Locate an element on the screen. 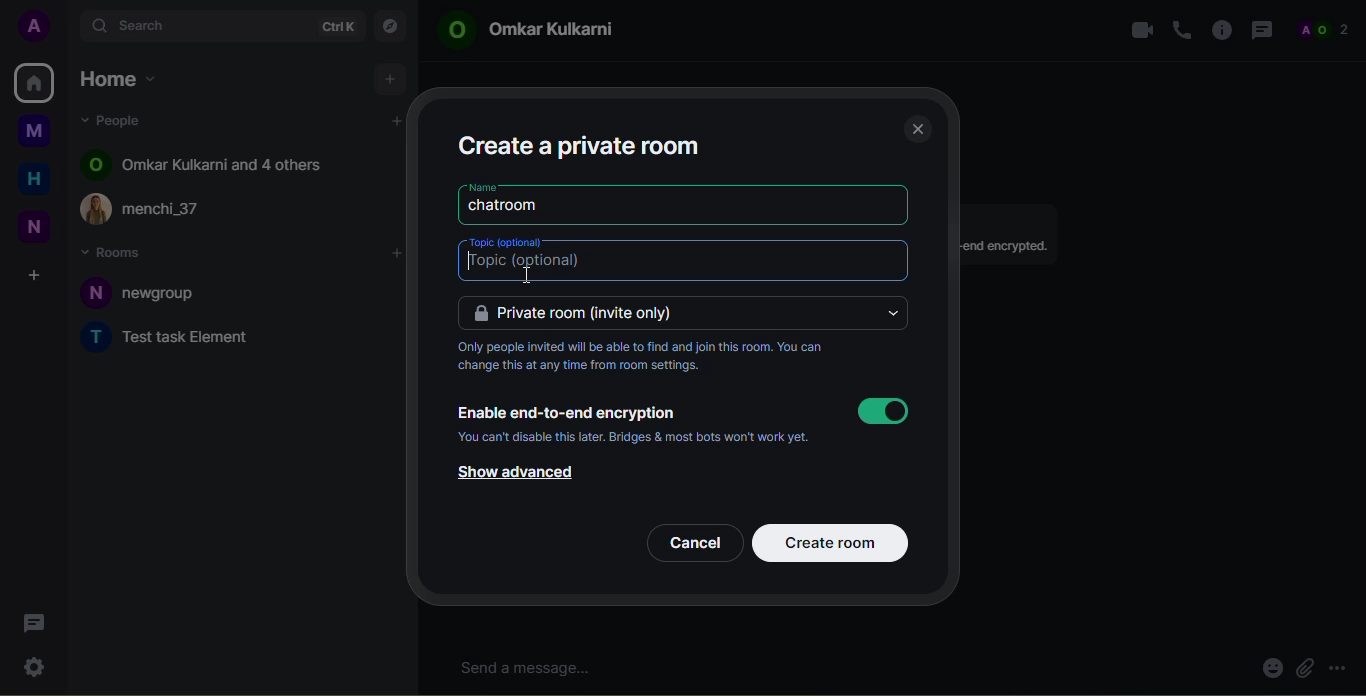 The height and width of the screenshot is (696, 1366). T Test task Element is located at coordinates (175, 337).